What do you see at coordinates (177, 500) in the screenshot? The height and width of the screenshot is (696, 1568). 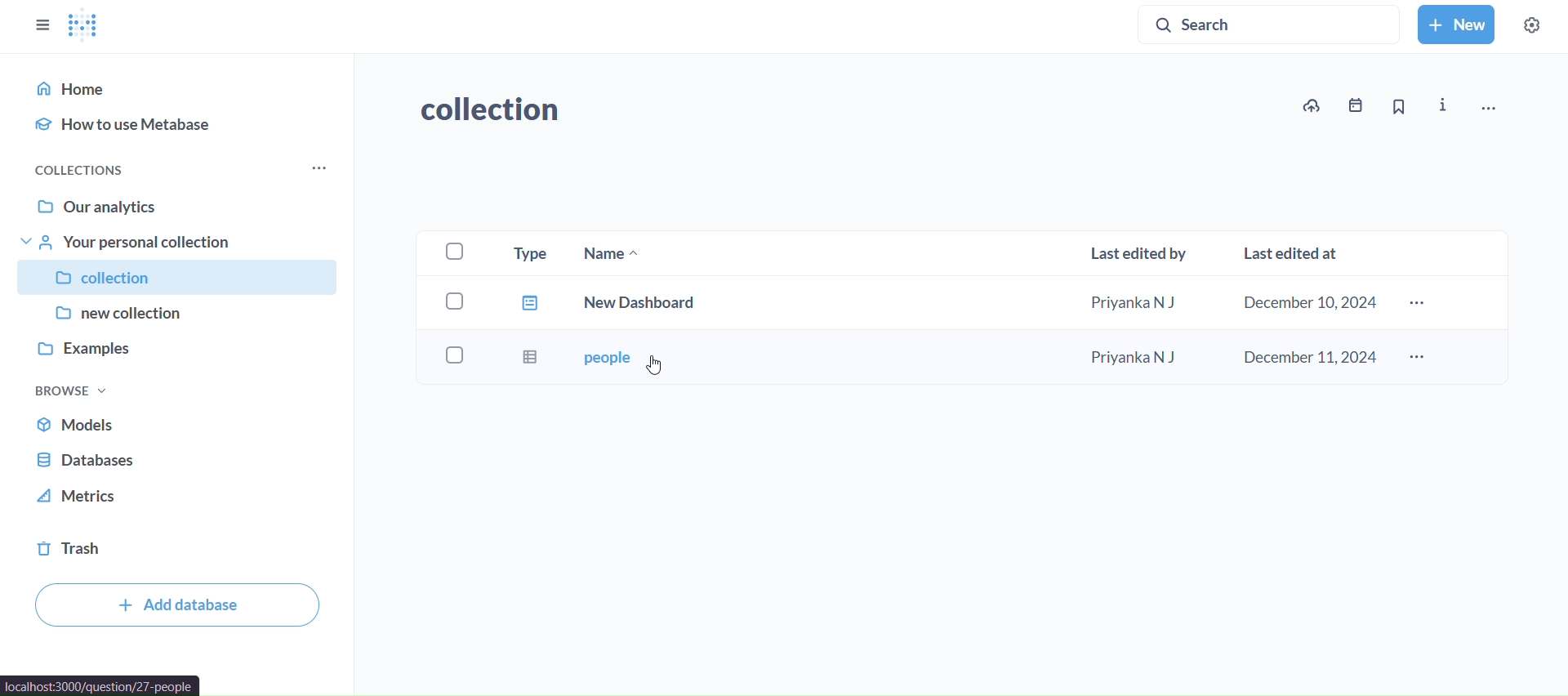 I see `metrics` at bounding box center [177, 500].